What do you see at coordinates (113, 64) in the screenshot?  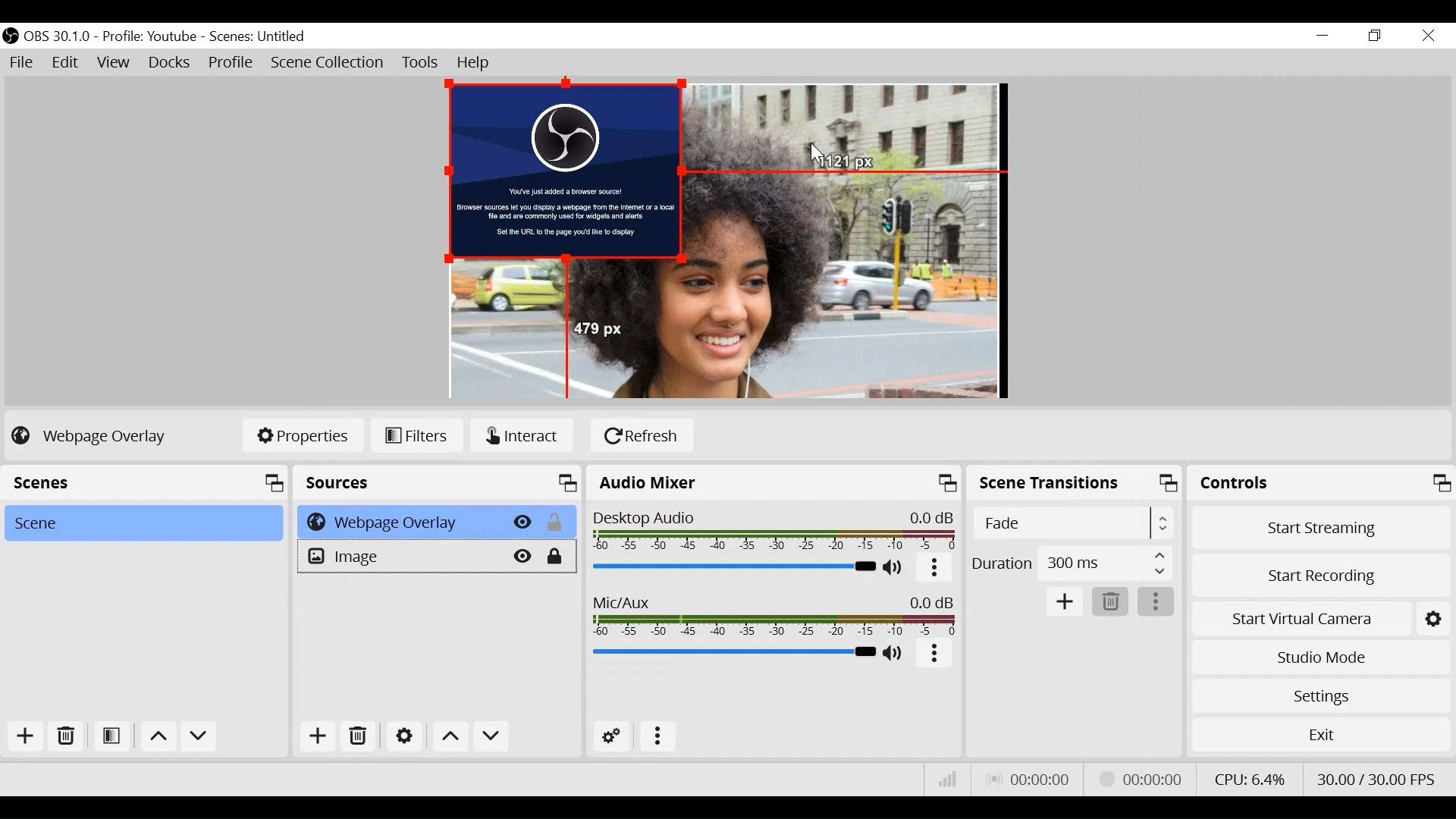 I see `View` at bounding box center [113, 64].